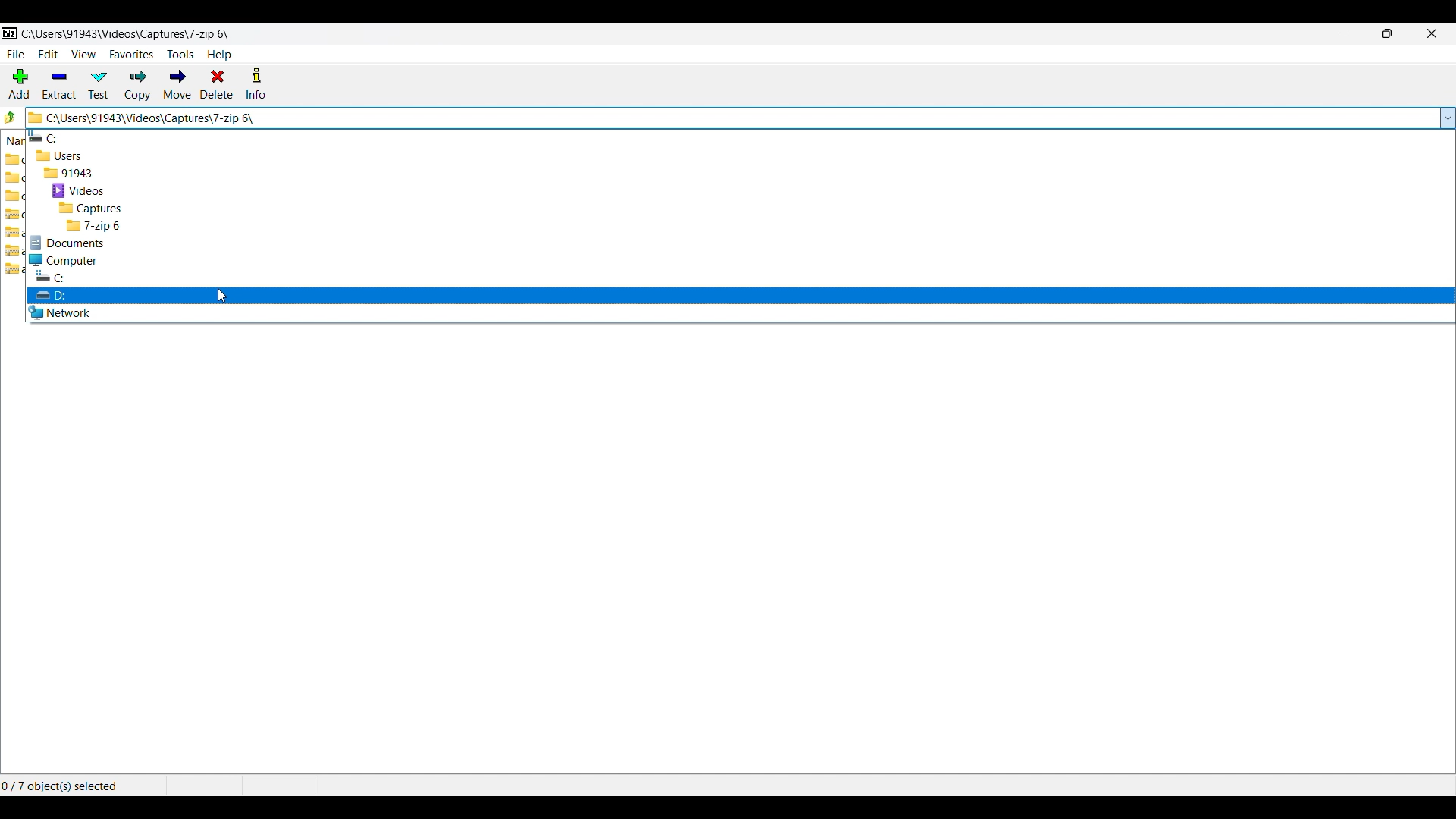  I want to click on Add, so click(19, 83).